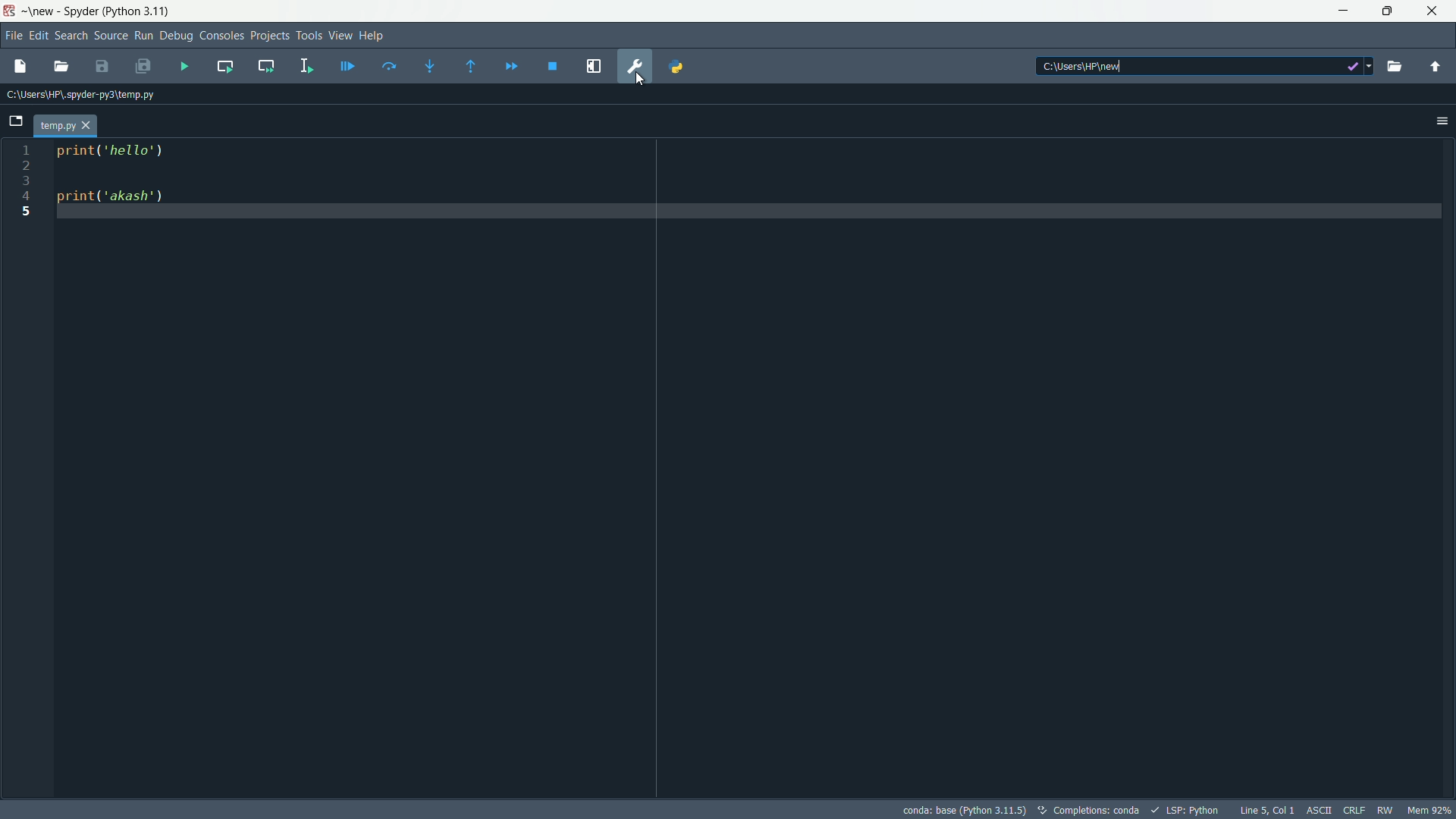 This screenshot has width=1456, height=819. Describe the element at coordinates (309, 36) in the screenshot. I see `tools menu` at that location.